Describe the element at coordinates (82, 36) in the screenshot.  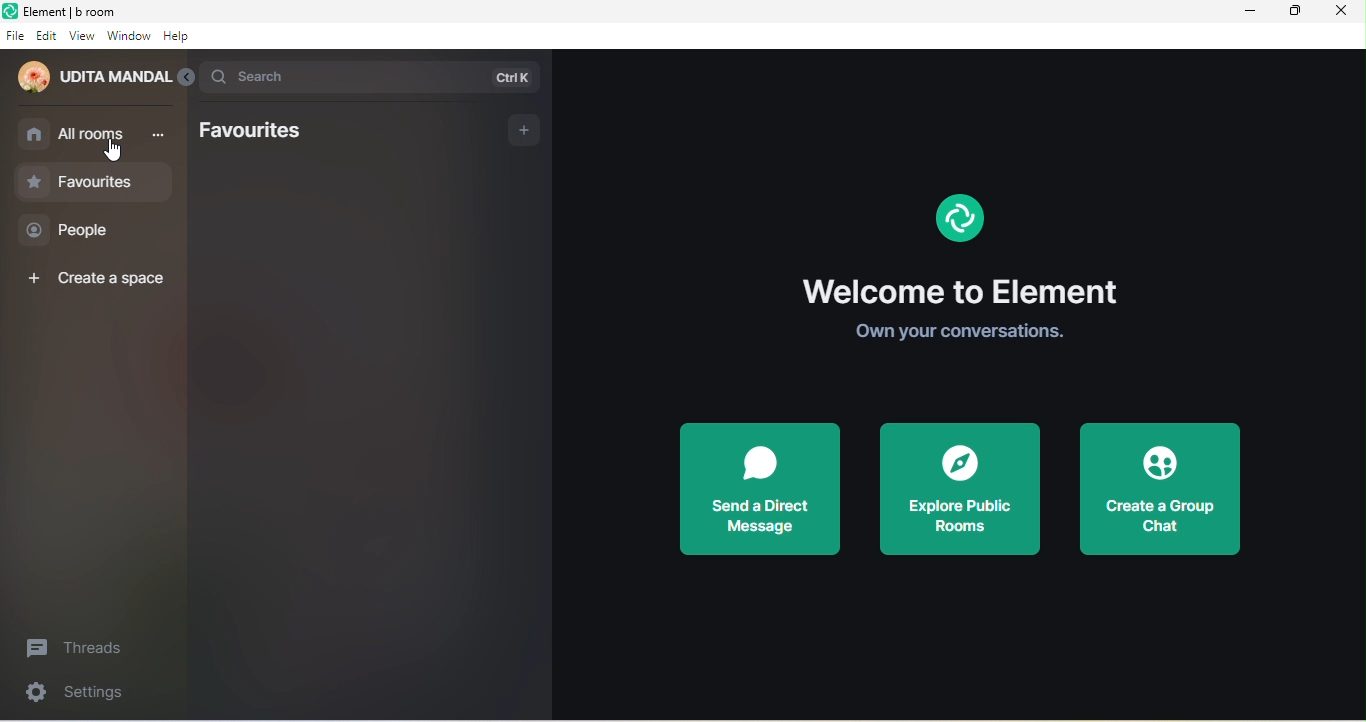
I see `view` at that location.